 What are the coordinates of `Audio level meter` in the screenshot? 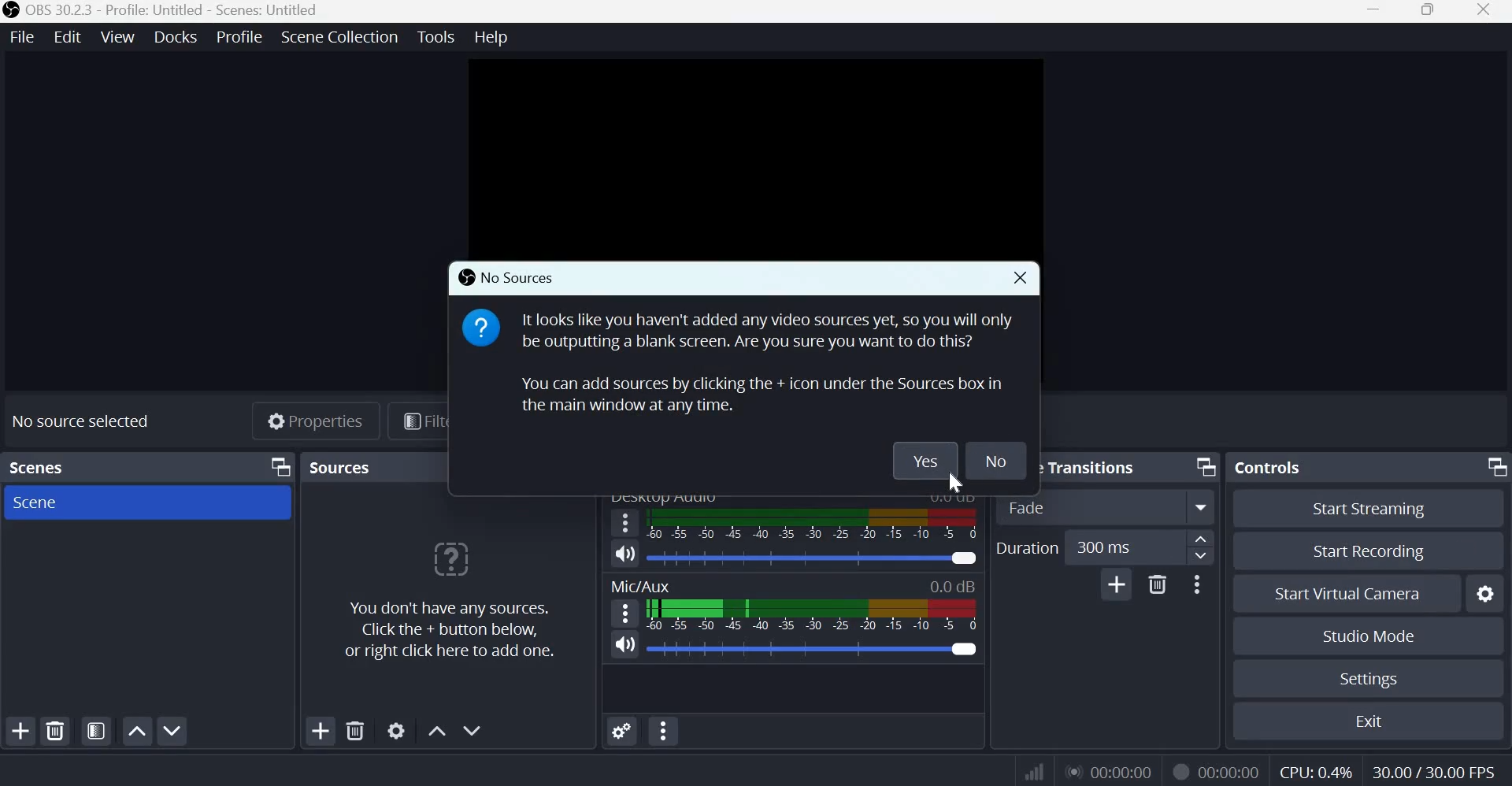 It's located at (793, 559).